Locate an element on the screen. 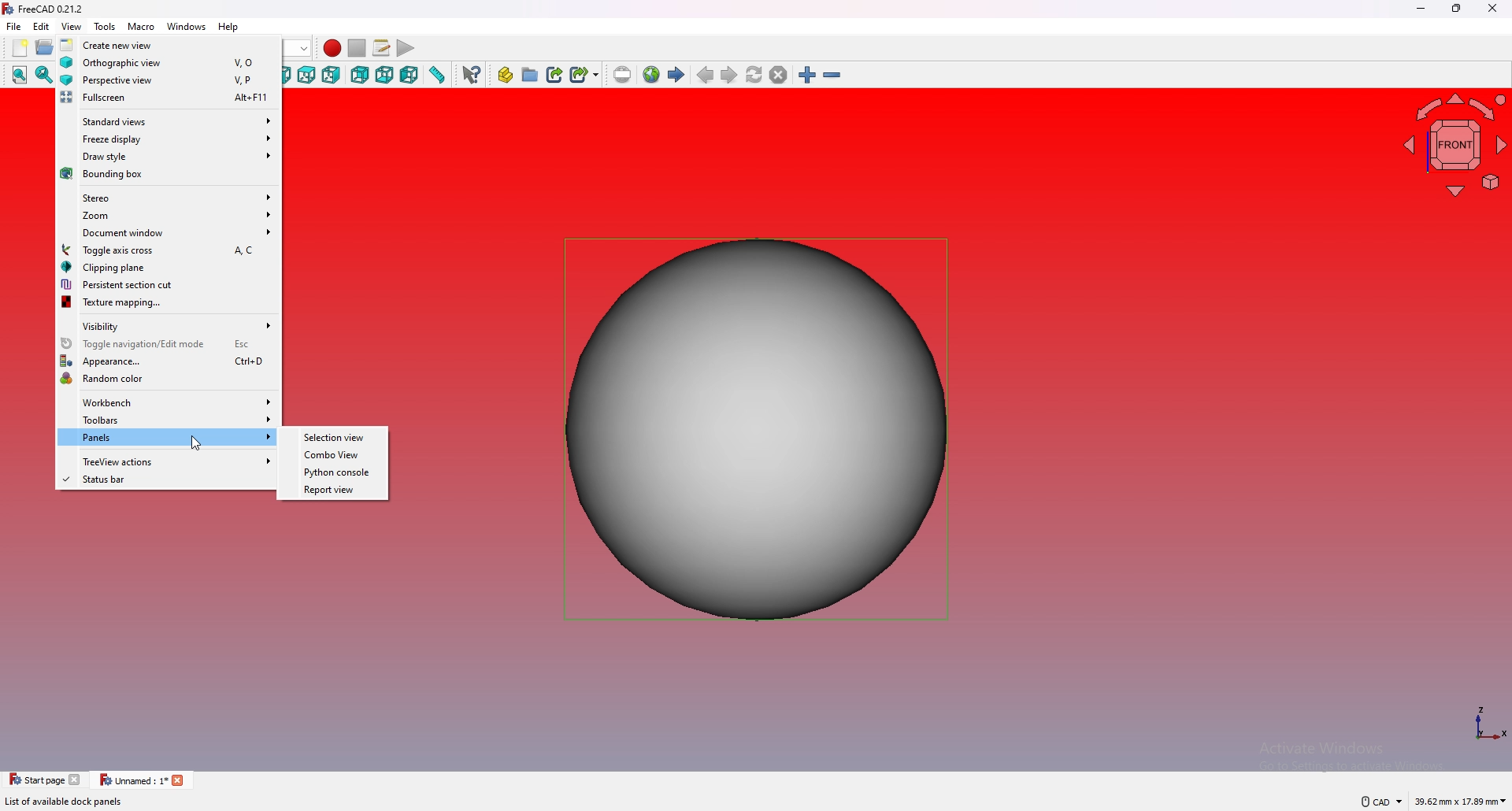 The image size is (1512, 811). bottom is located at coordinates (385, 76).